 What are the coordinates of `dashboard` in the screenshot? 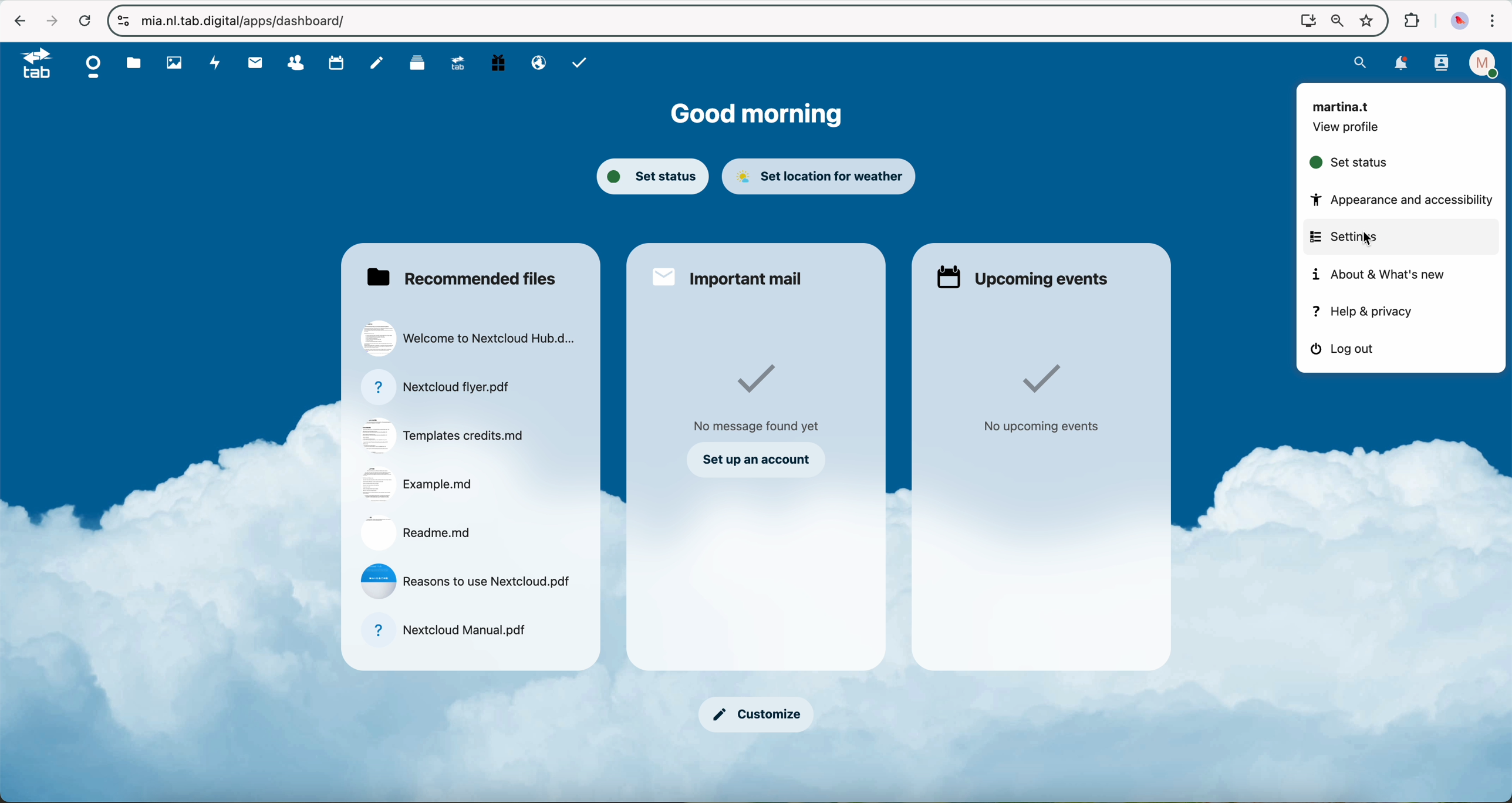 It's located at (95, 67).